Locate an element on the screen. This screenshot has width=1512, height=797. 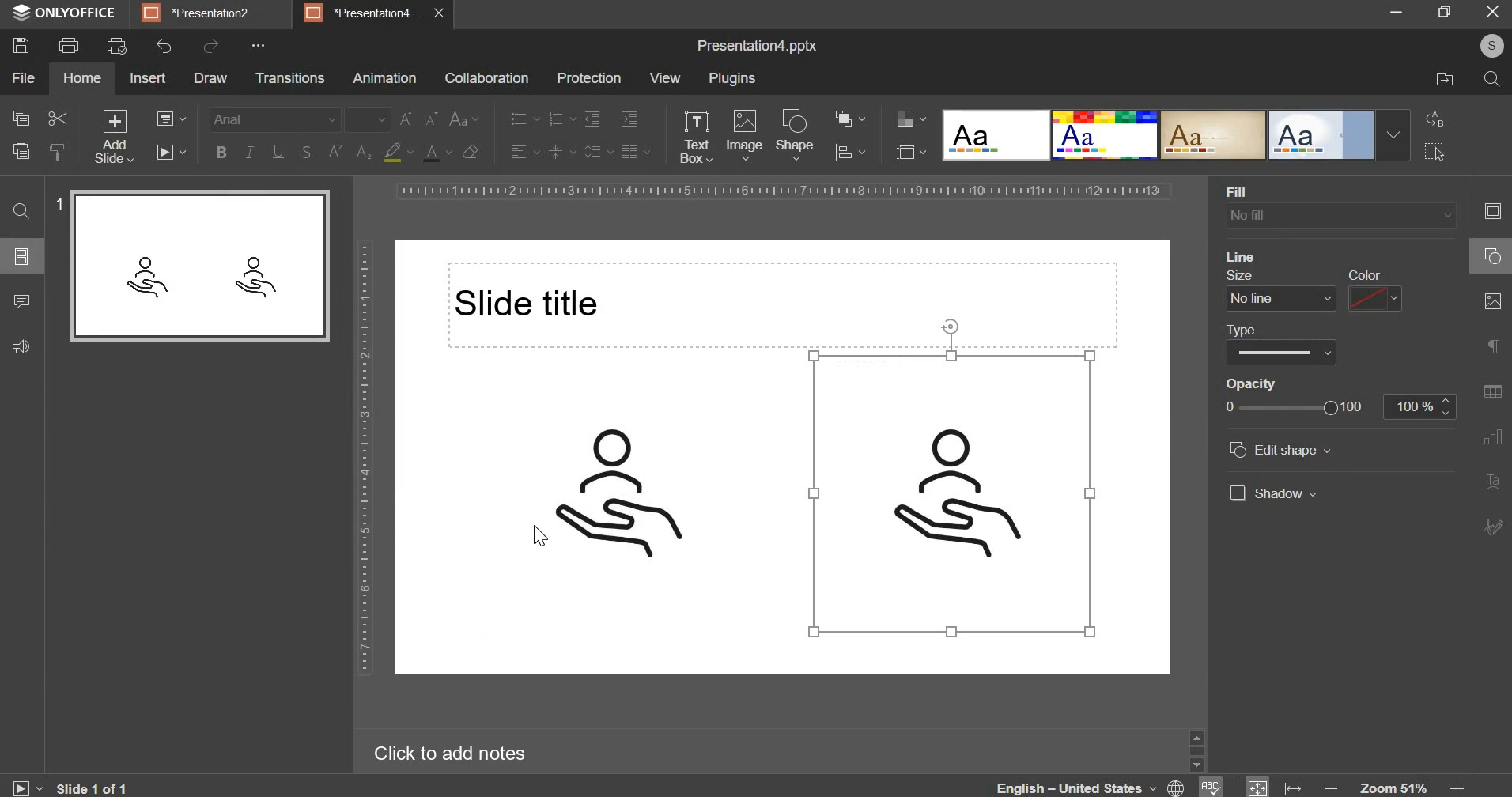
shadow is located at coordinates (1272, 493).